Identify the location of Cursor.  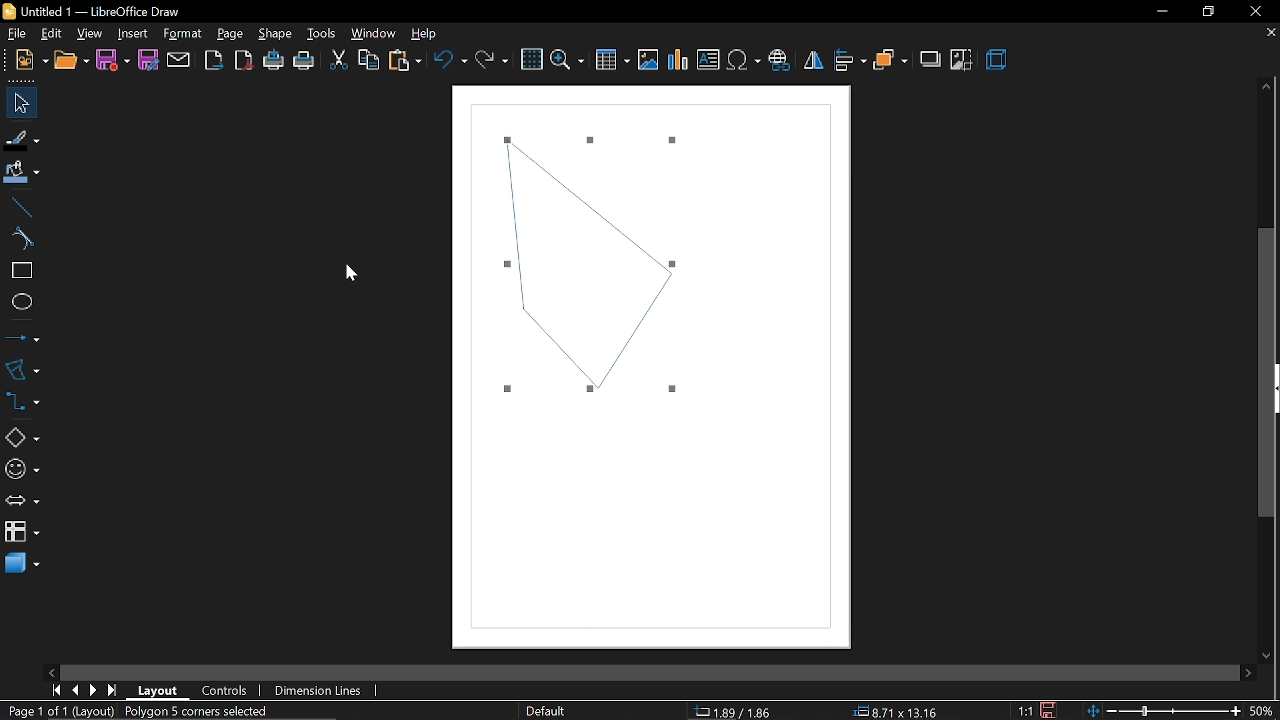
(350, 269).